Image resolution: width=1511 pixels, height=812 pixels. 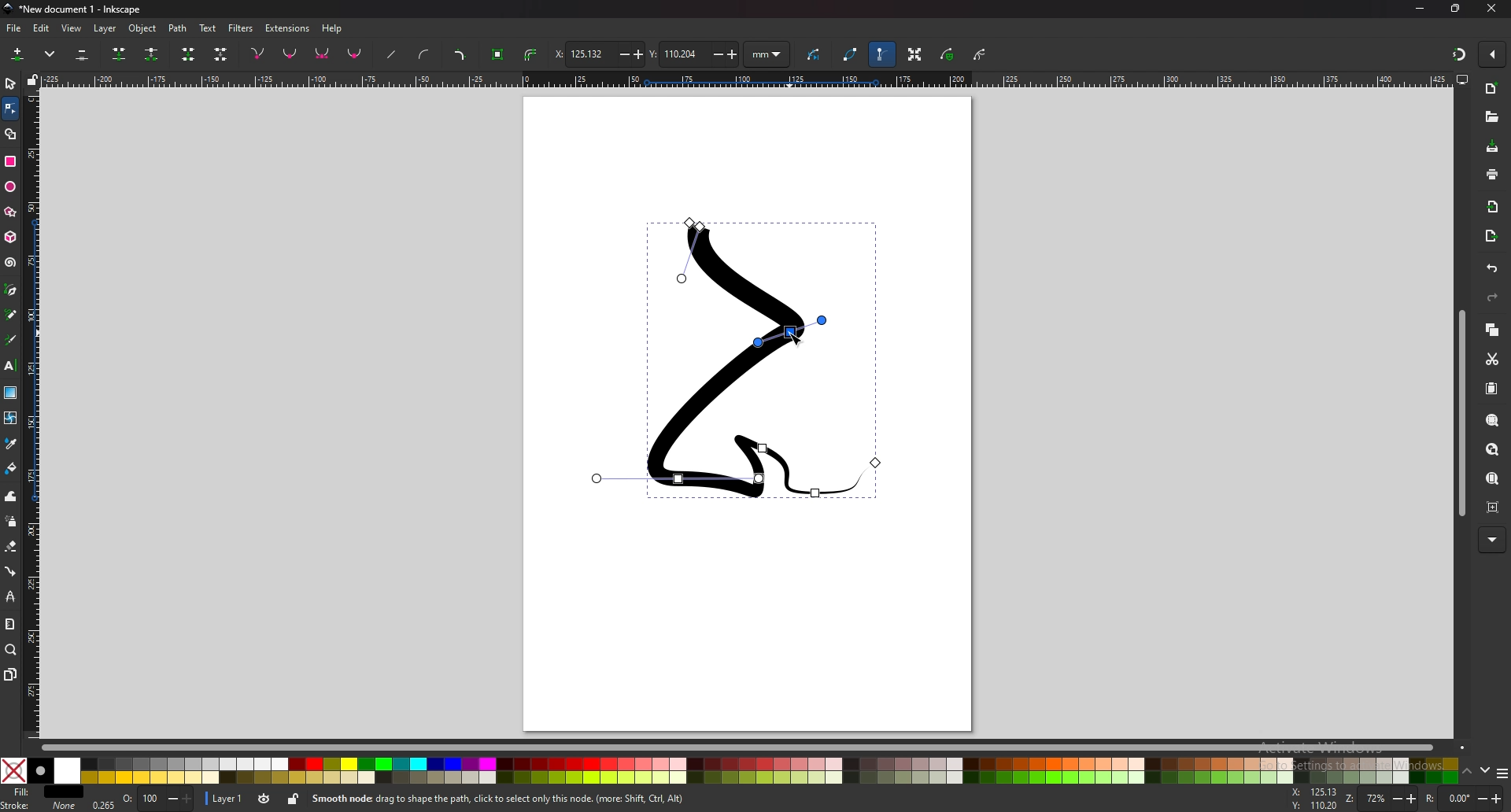 I want to click on eraser, so click(x=12, y=545).